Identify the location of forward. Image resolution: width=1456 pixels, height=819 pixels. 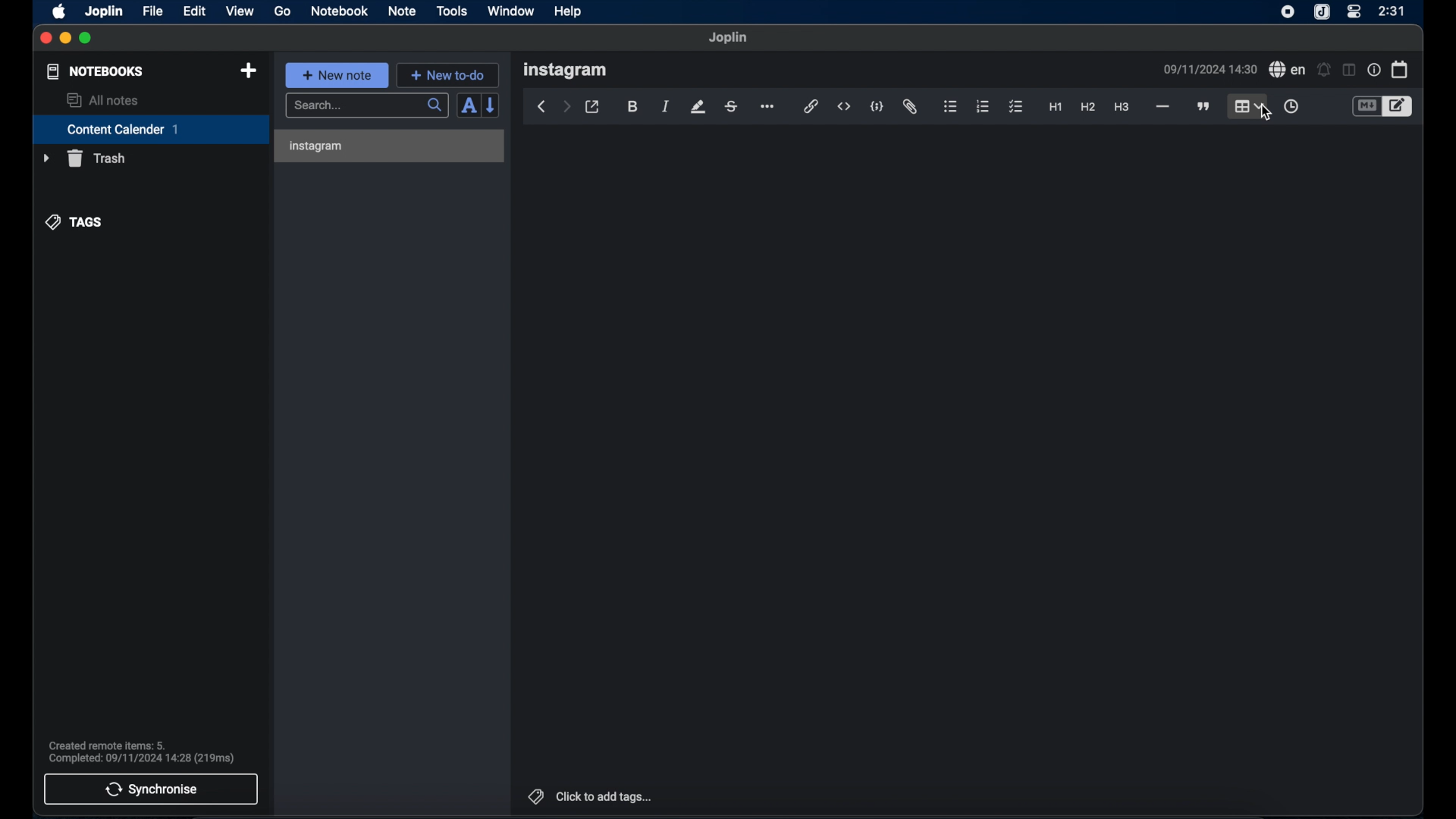
(566, 108).